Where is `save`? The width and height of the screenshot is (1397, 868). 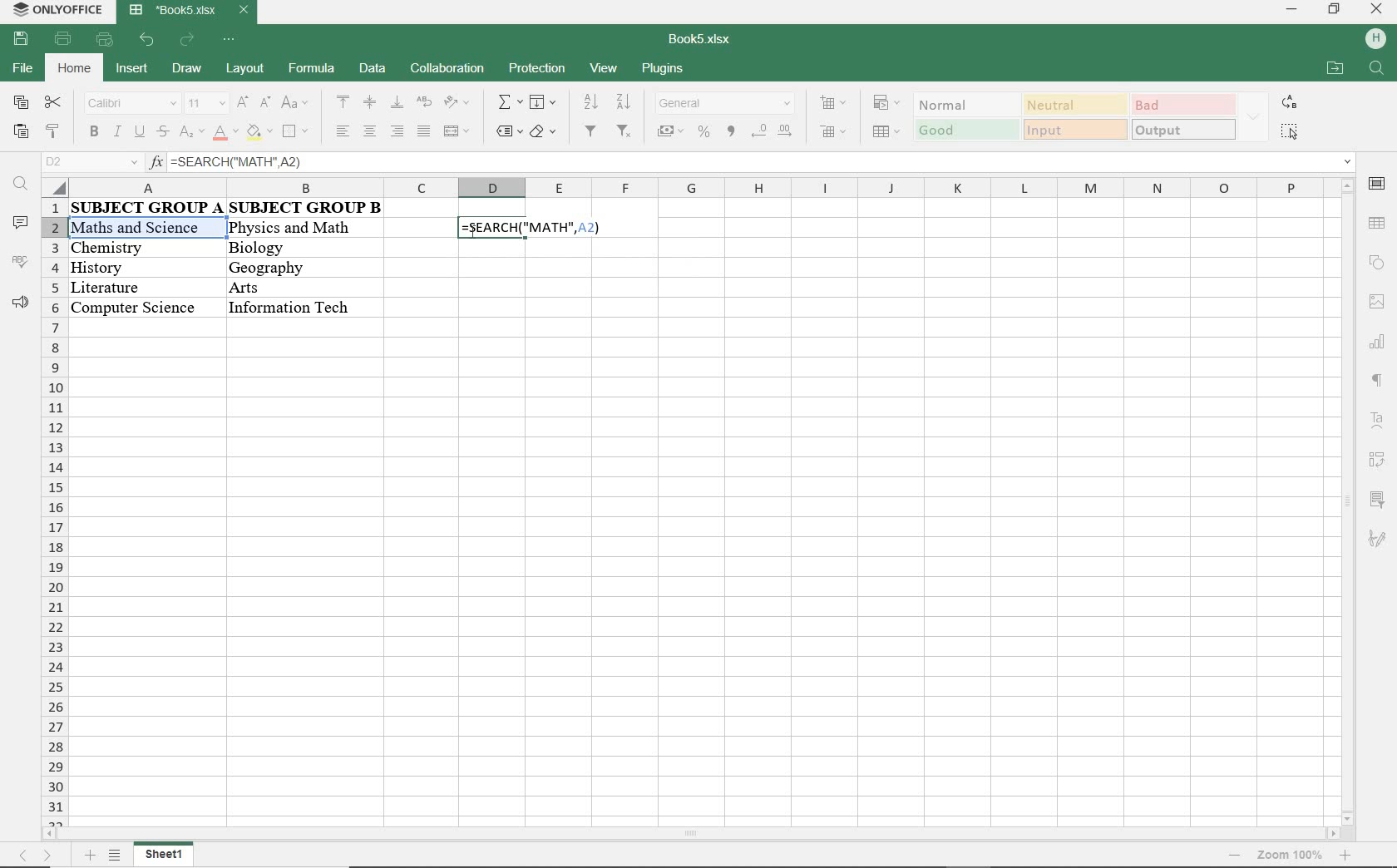 save is located at coordinates (21, 40).